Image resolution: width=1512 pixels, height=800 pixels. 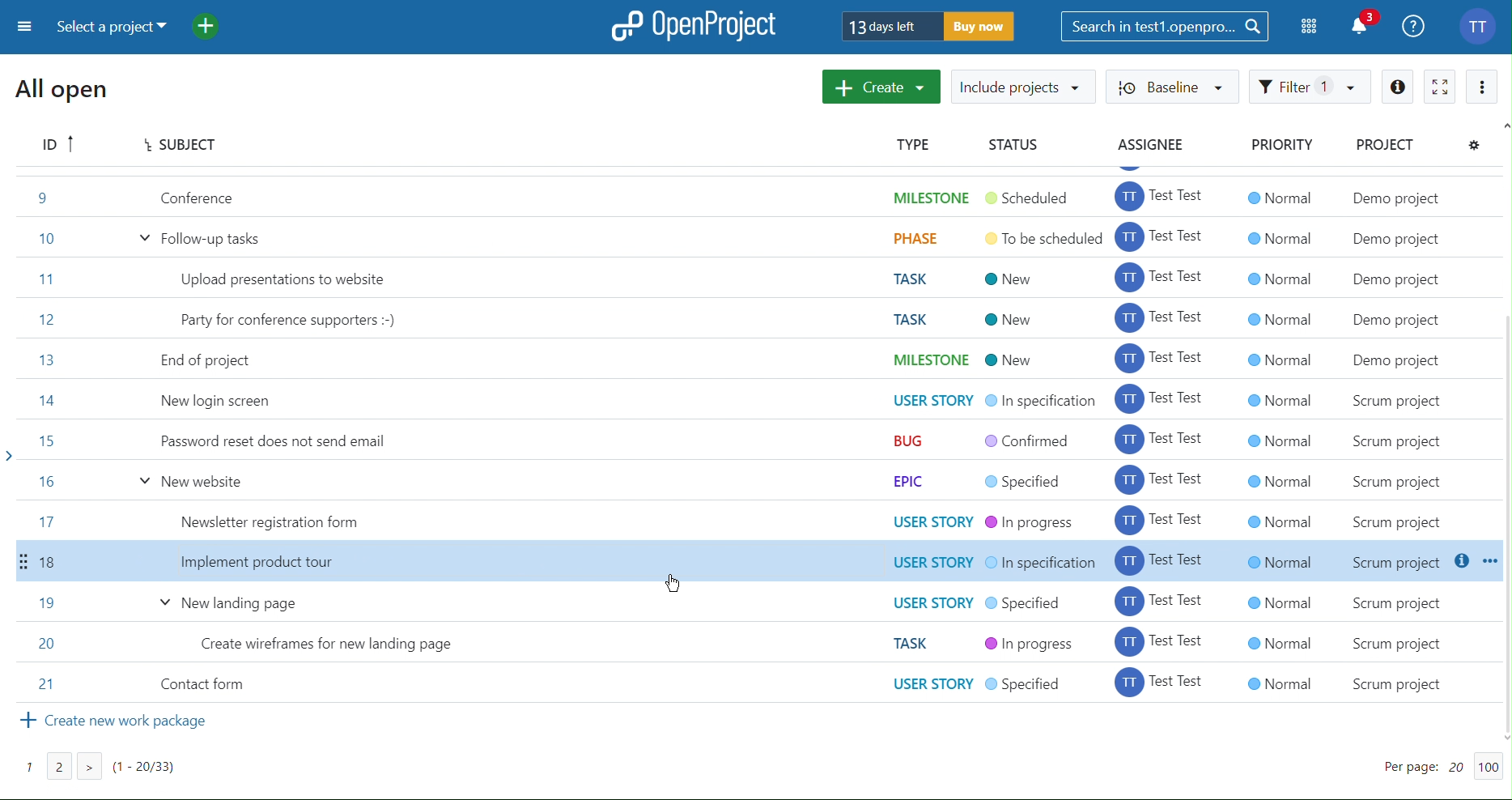 I want to click on Select a project, so click(x=116, y=28).